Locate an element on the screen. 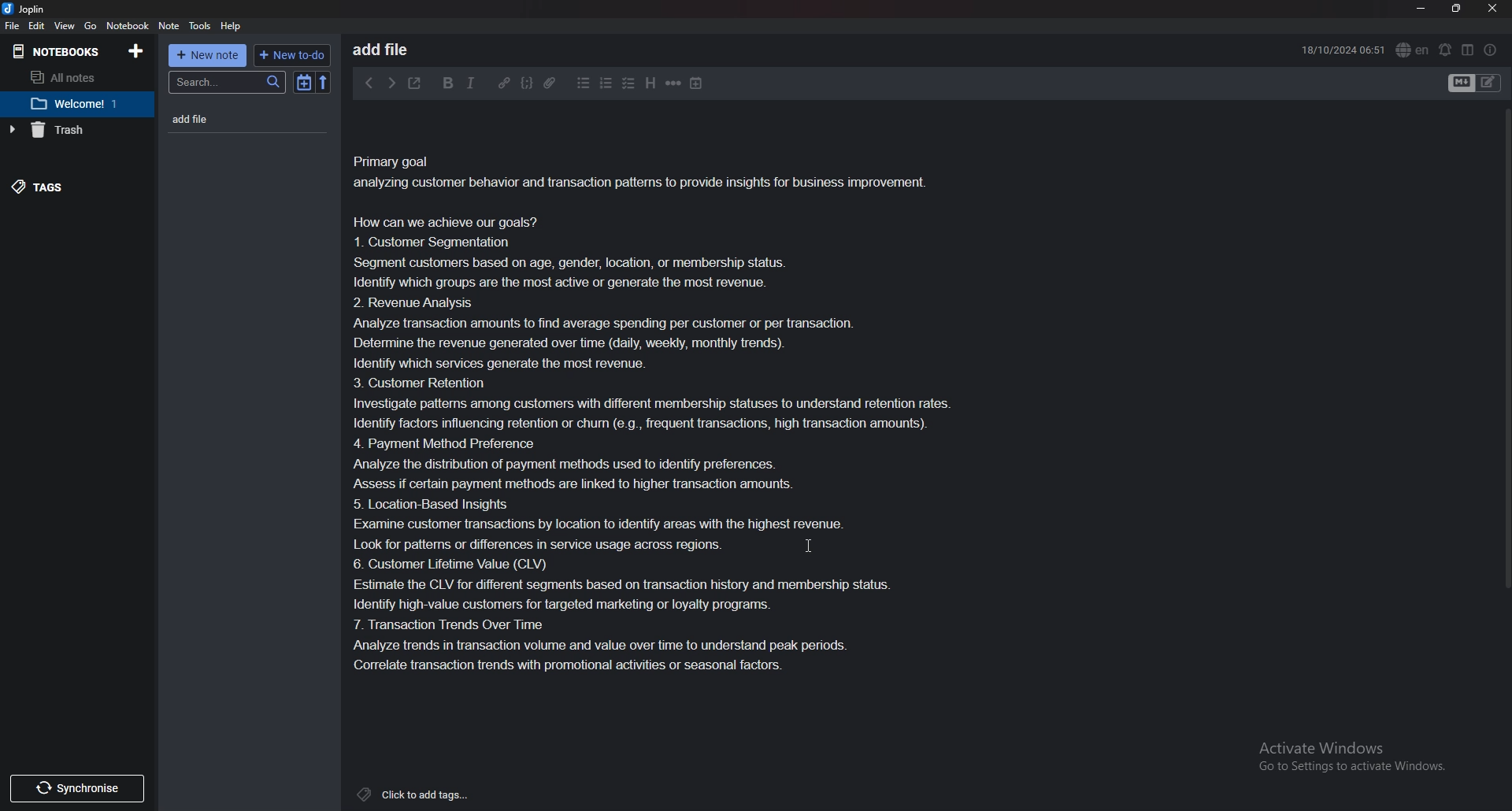  Hyperlink is located at coordinates (505, 83).